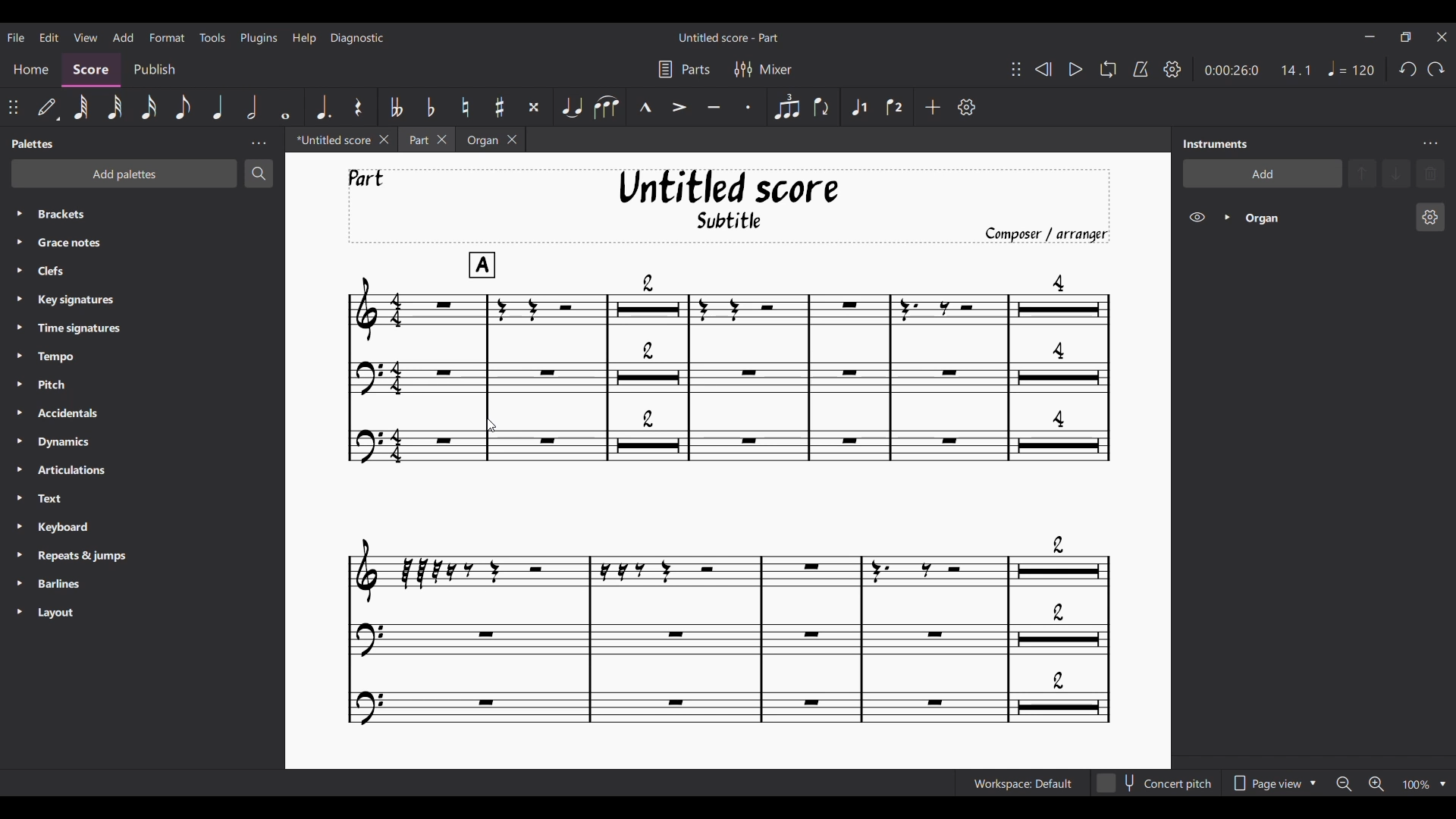 This screenshot has width=1456, height=819. What do you see at coordinates (397, 106) in the screenshot?
I see `Toggle double flat` at bounding box center [397, 106].